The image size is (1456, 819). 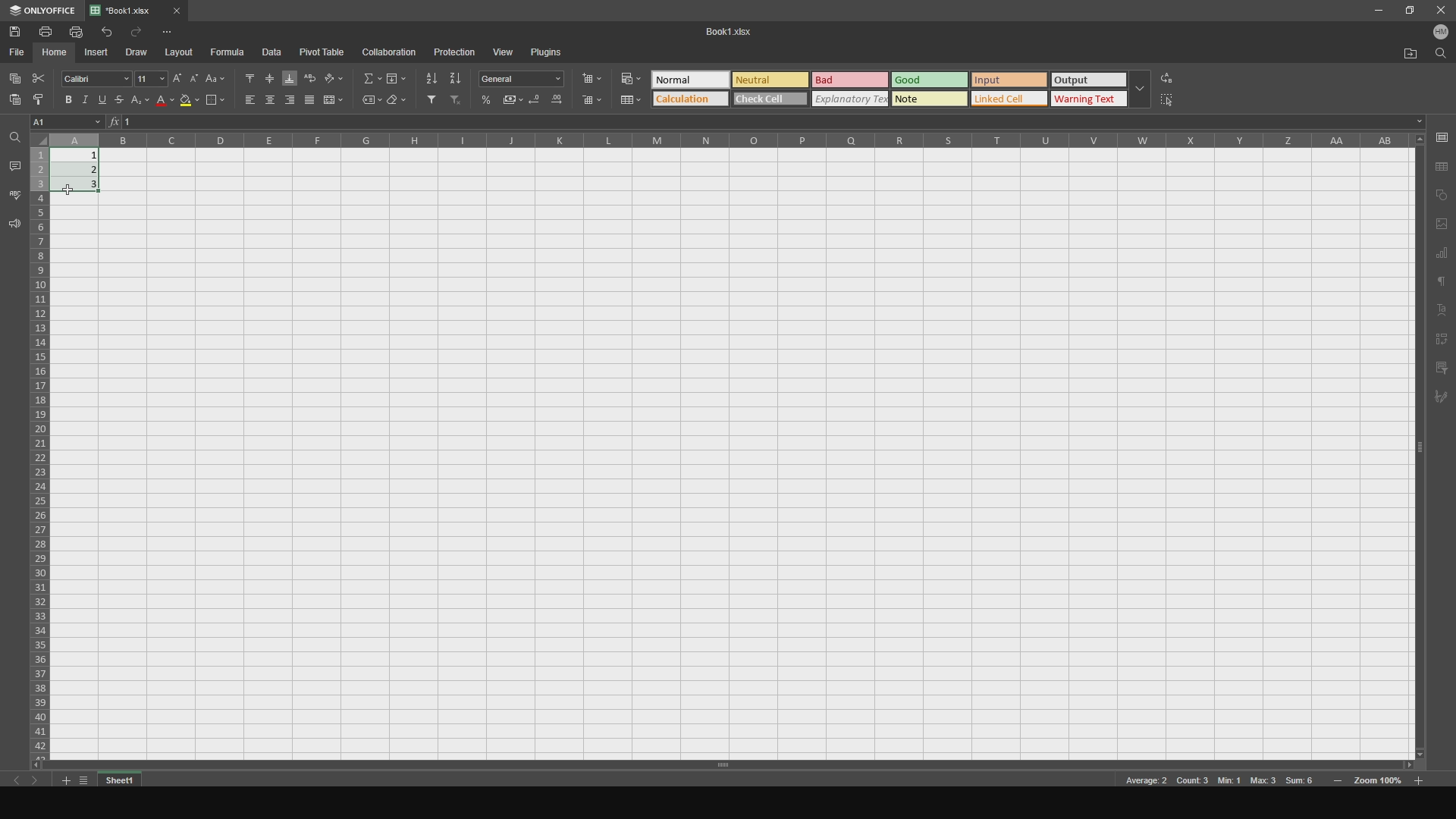 I want to click on copy style, so click(x=39, y=99).